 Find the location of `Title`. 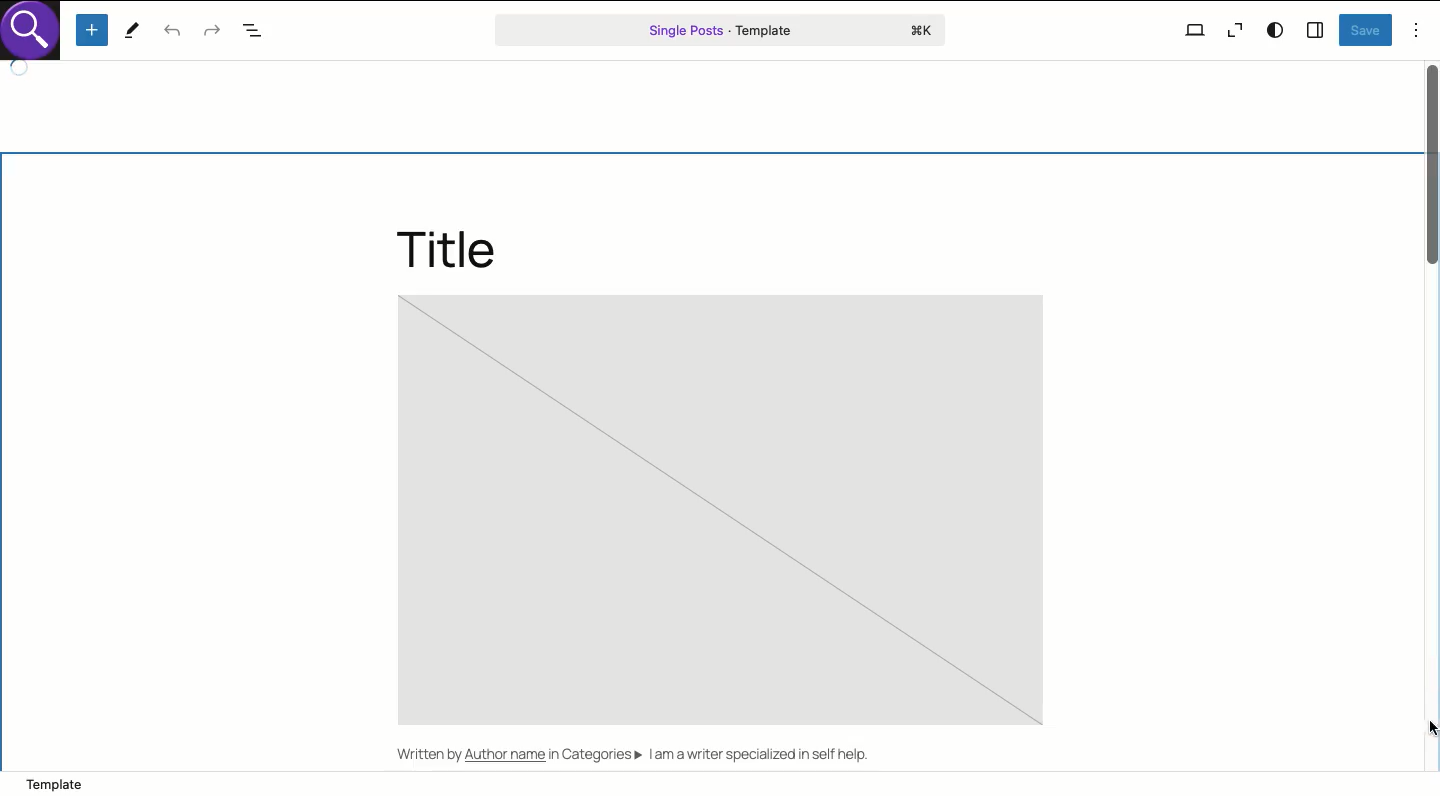

Title is located at coordinates (448, 246).